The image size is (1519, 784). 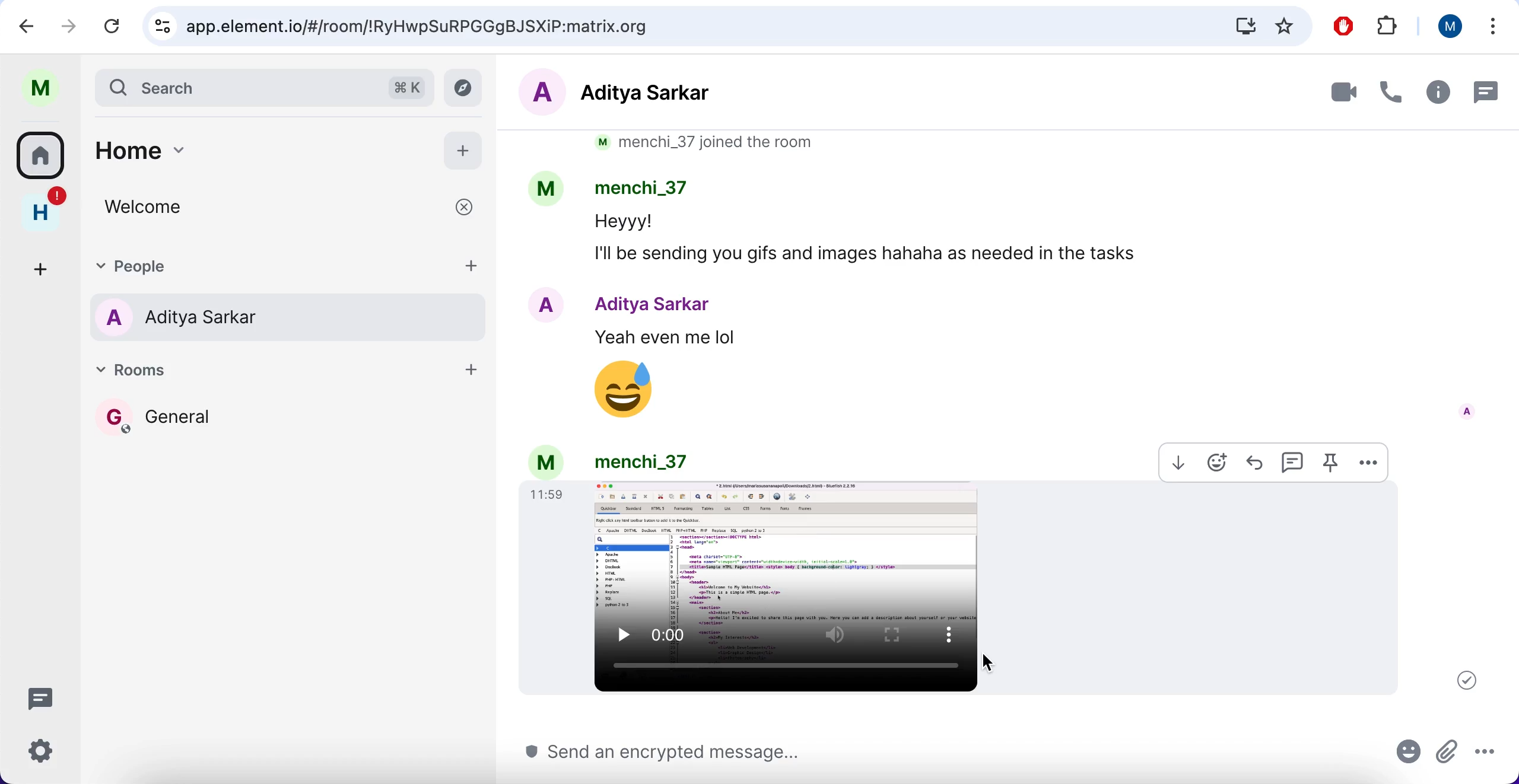 I want to click on search, so click(x=258, y=87).